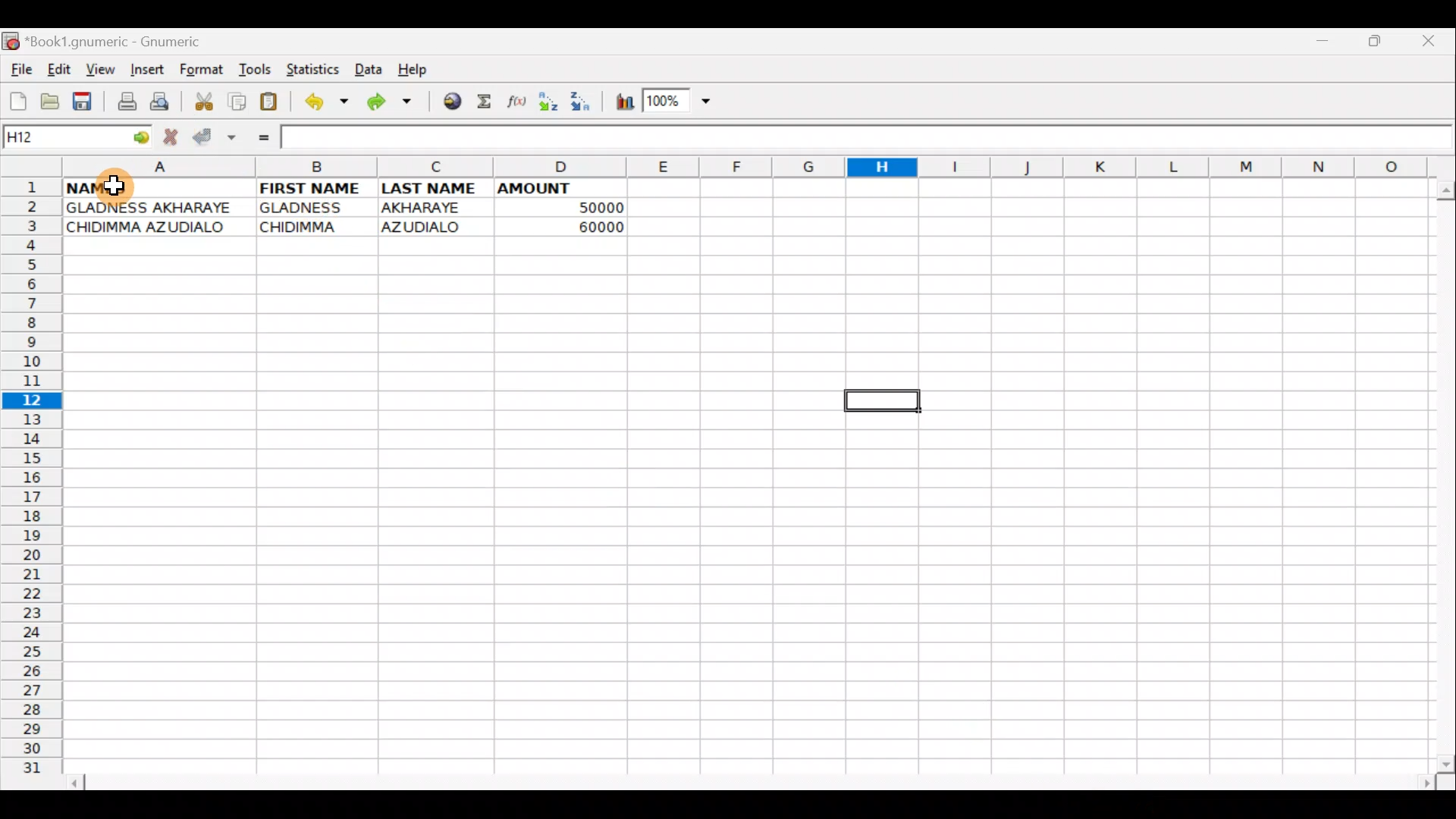 This screenshot has width=1456, height=819. I want to click on CHIDIMMA AZUDIALO, so click(153, 229).